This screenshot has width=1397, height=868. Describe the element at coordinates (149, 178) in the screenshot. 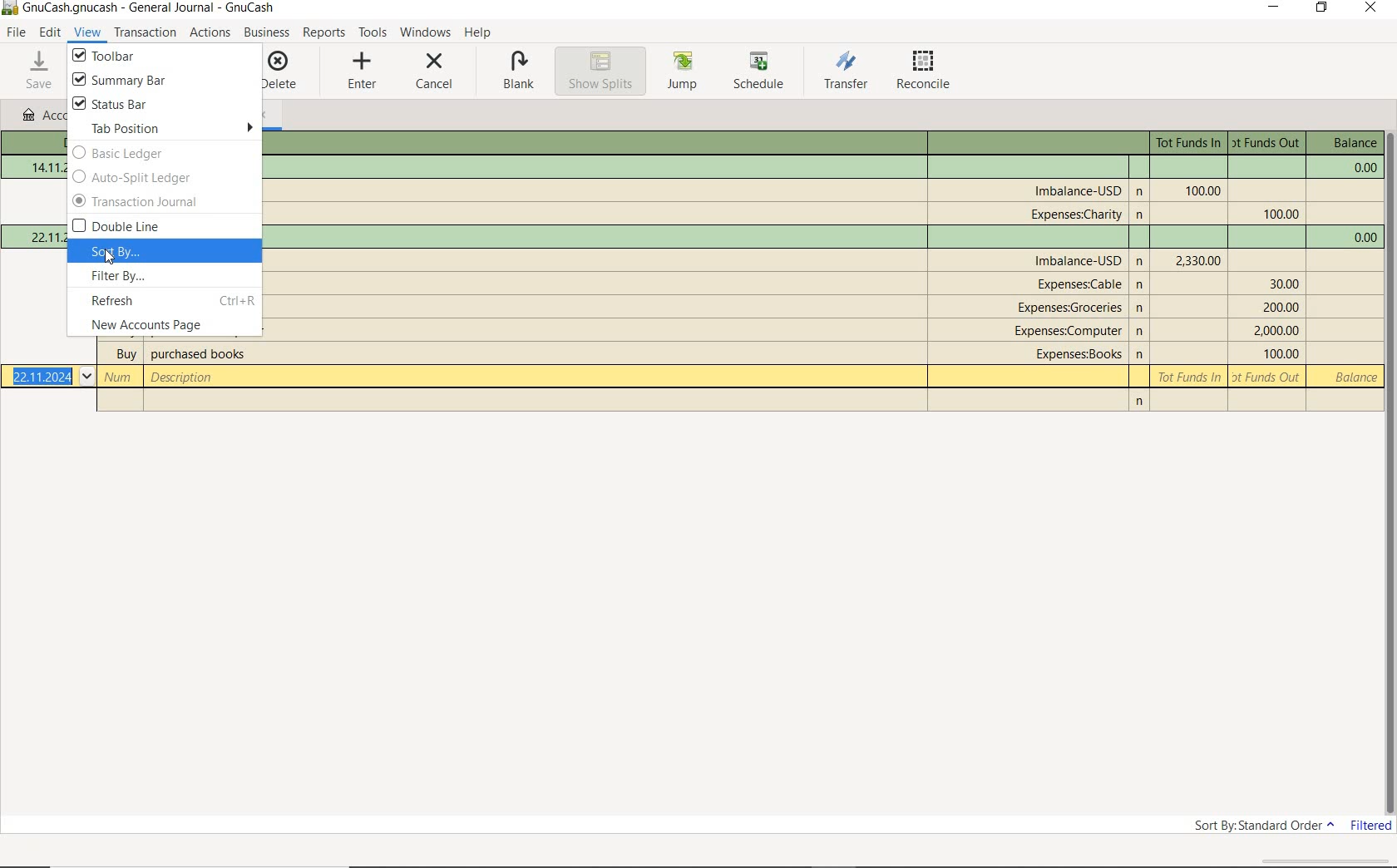

I see `auto-split ledger` at that location.